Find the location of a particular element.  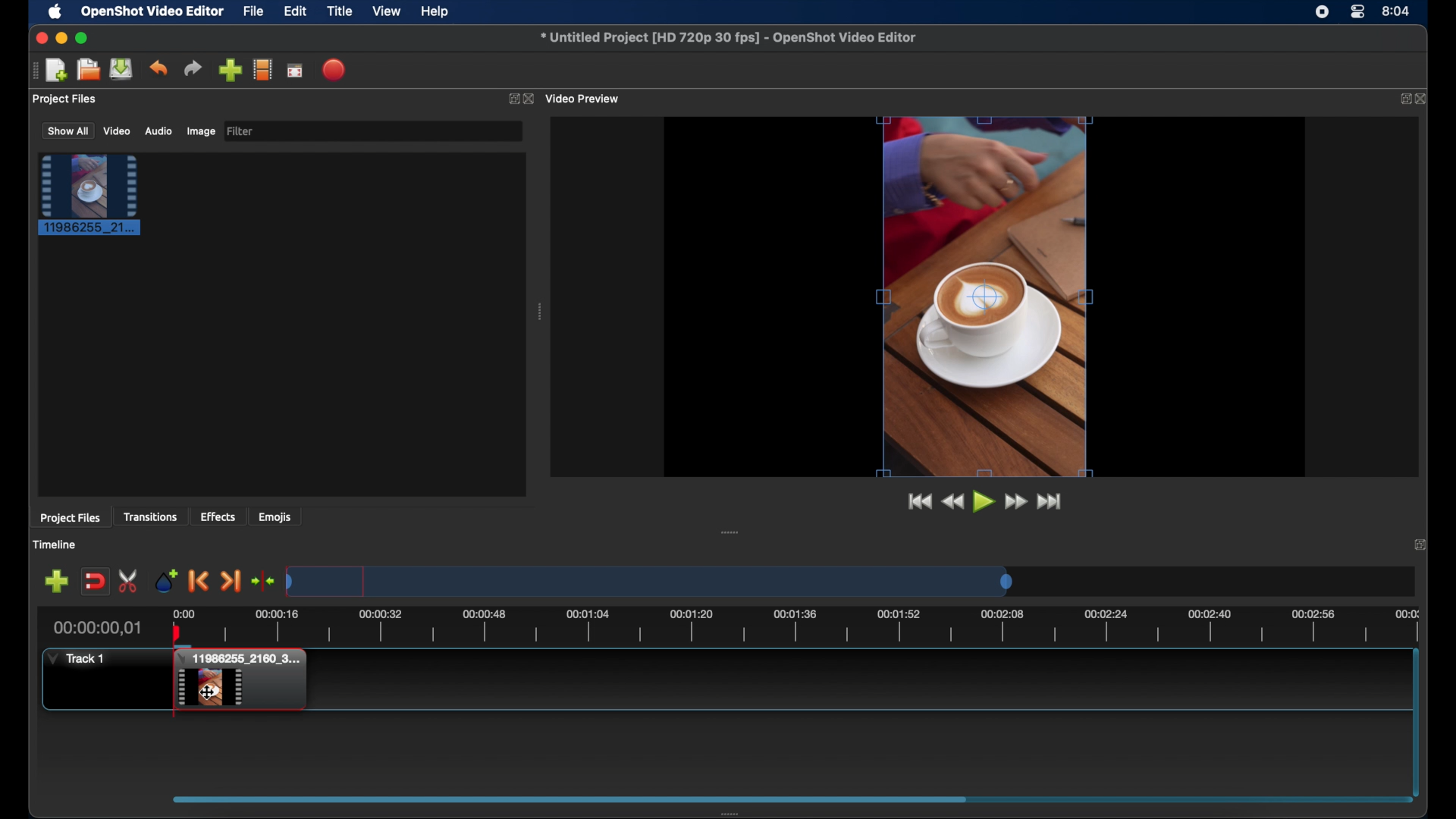

show all is located at coordinates (67, 131).